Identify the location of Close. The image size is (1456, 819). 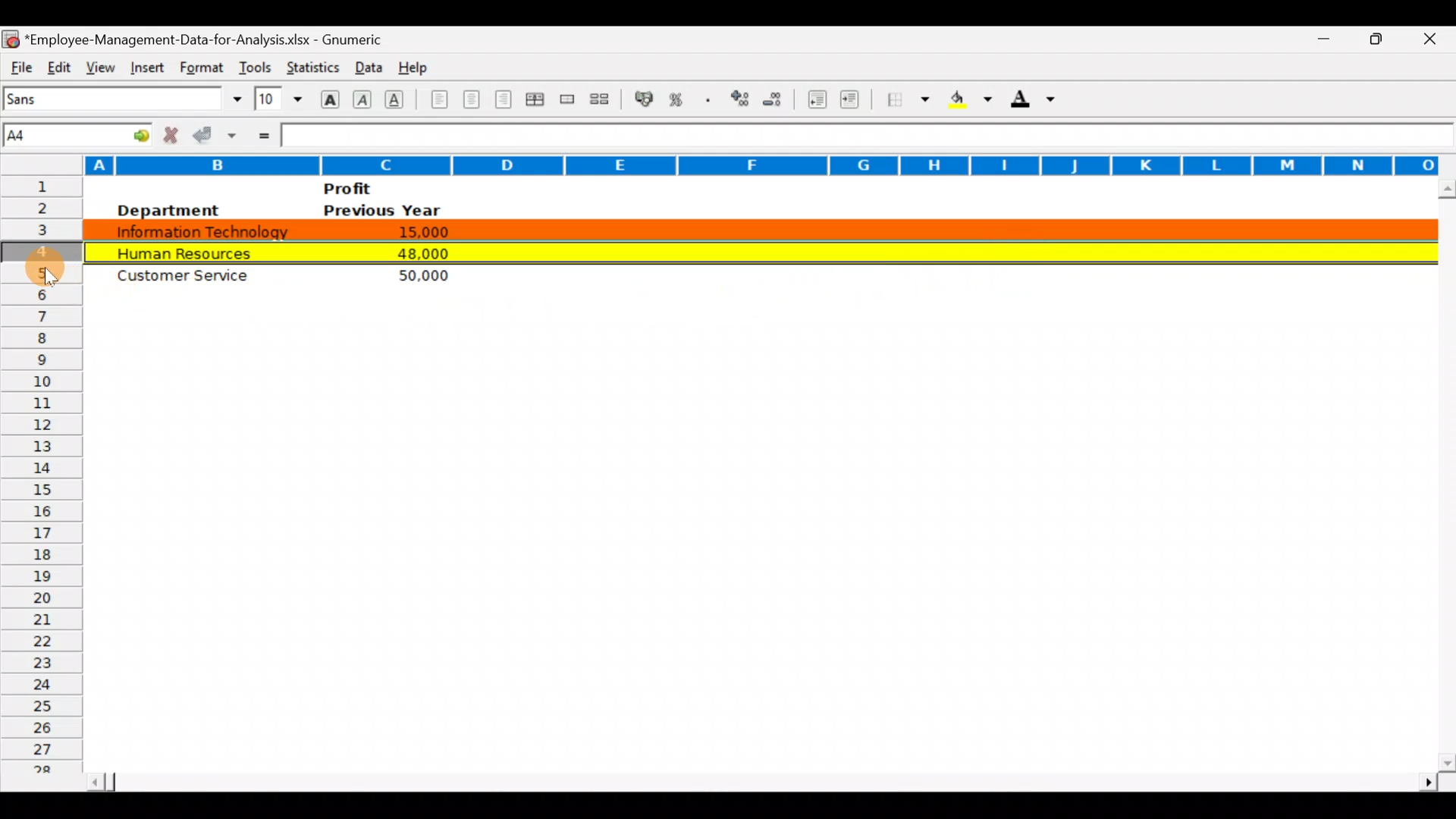
(1435, 40).